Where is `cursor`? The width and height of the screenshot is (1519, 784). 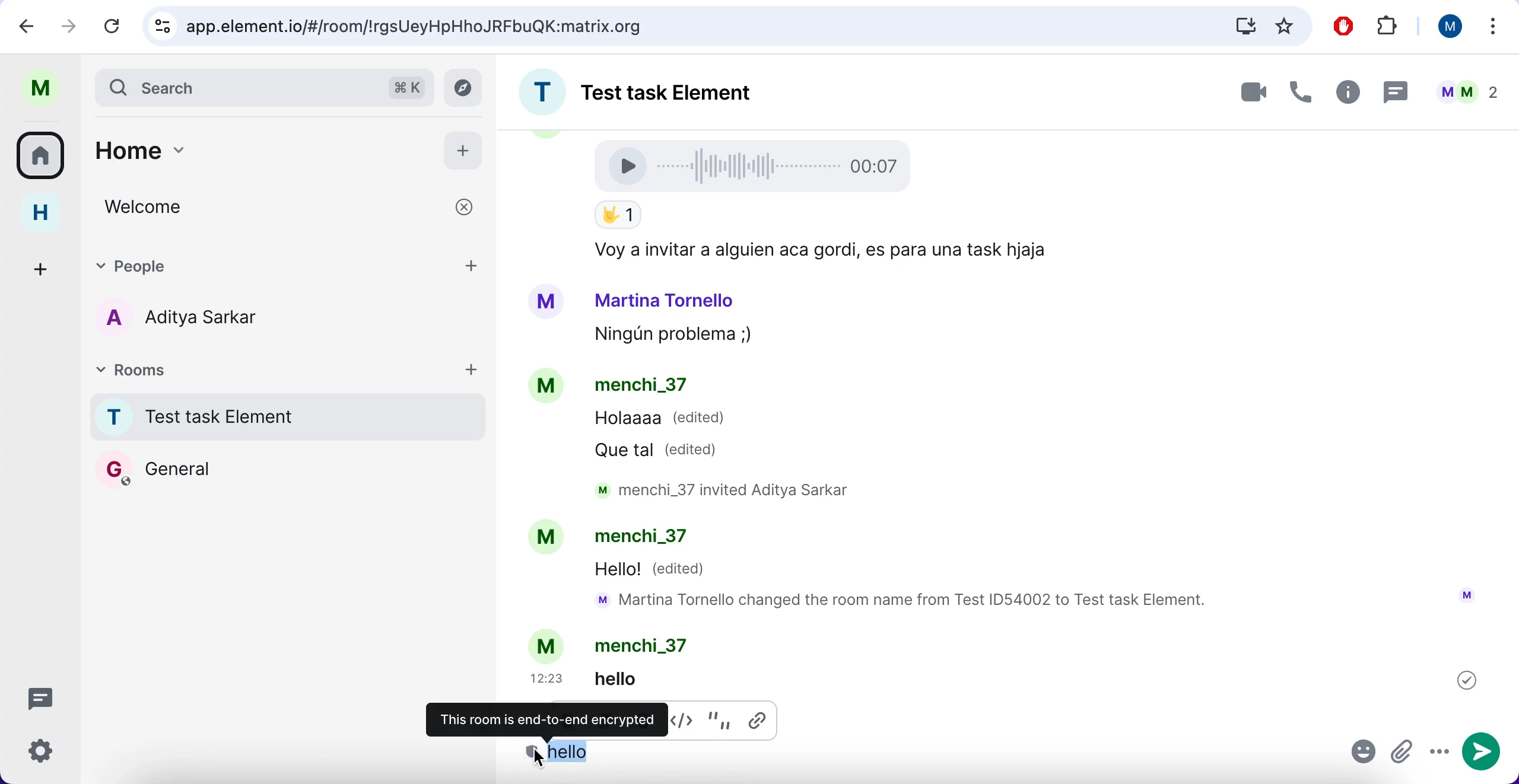
cursor is located at coordinates (533, 760).